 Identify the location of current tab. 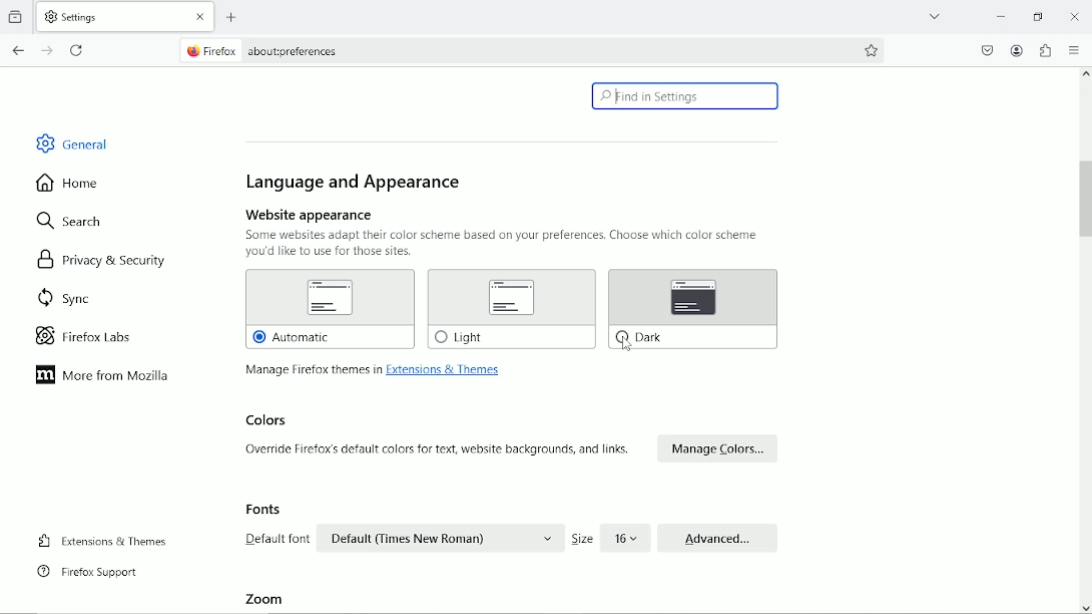
(126, 16).